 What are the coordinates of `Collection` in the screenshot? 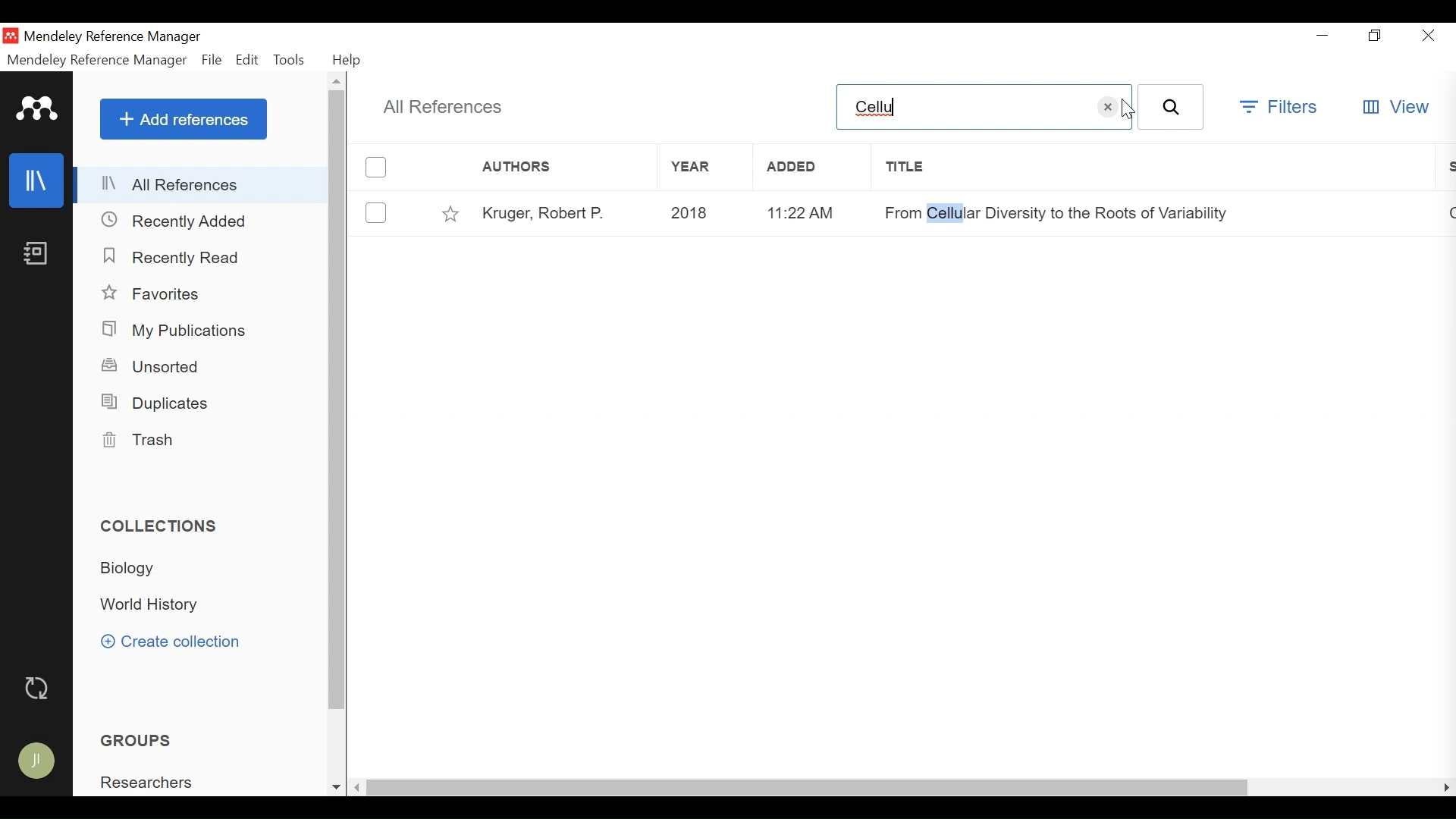 It's located at (162, 526).